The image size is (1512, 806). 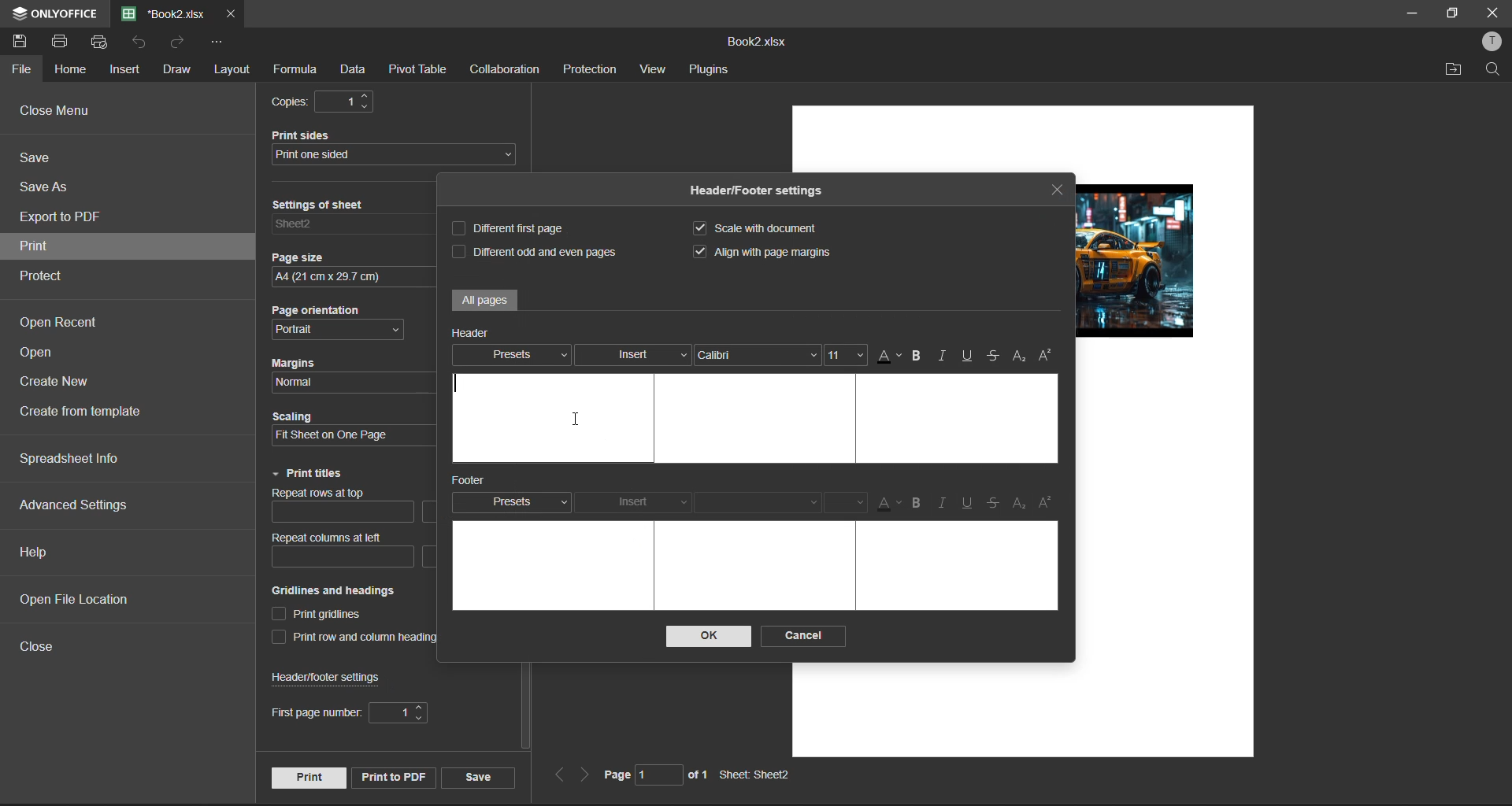 I want to click on ok, so click(x=704, y=637).